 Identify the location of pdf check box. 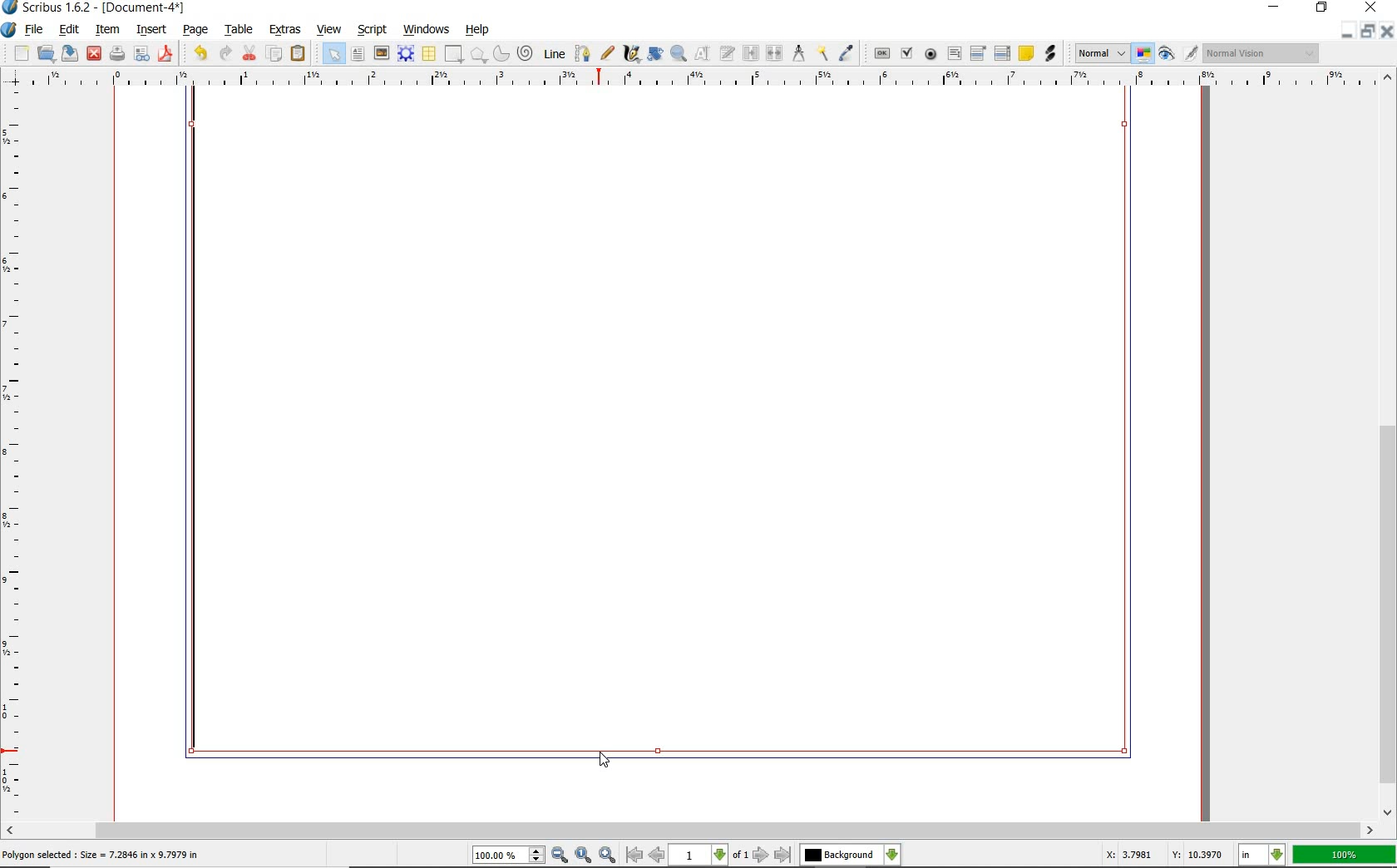
(906, 52).